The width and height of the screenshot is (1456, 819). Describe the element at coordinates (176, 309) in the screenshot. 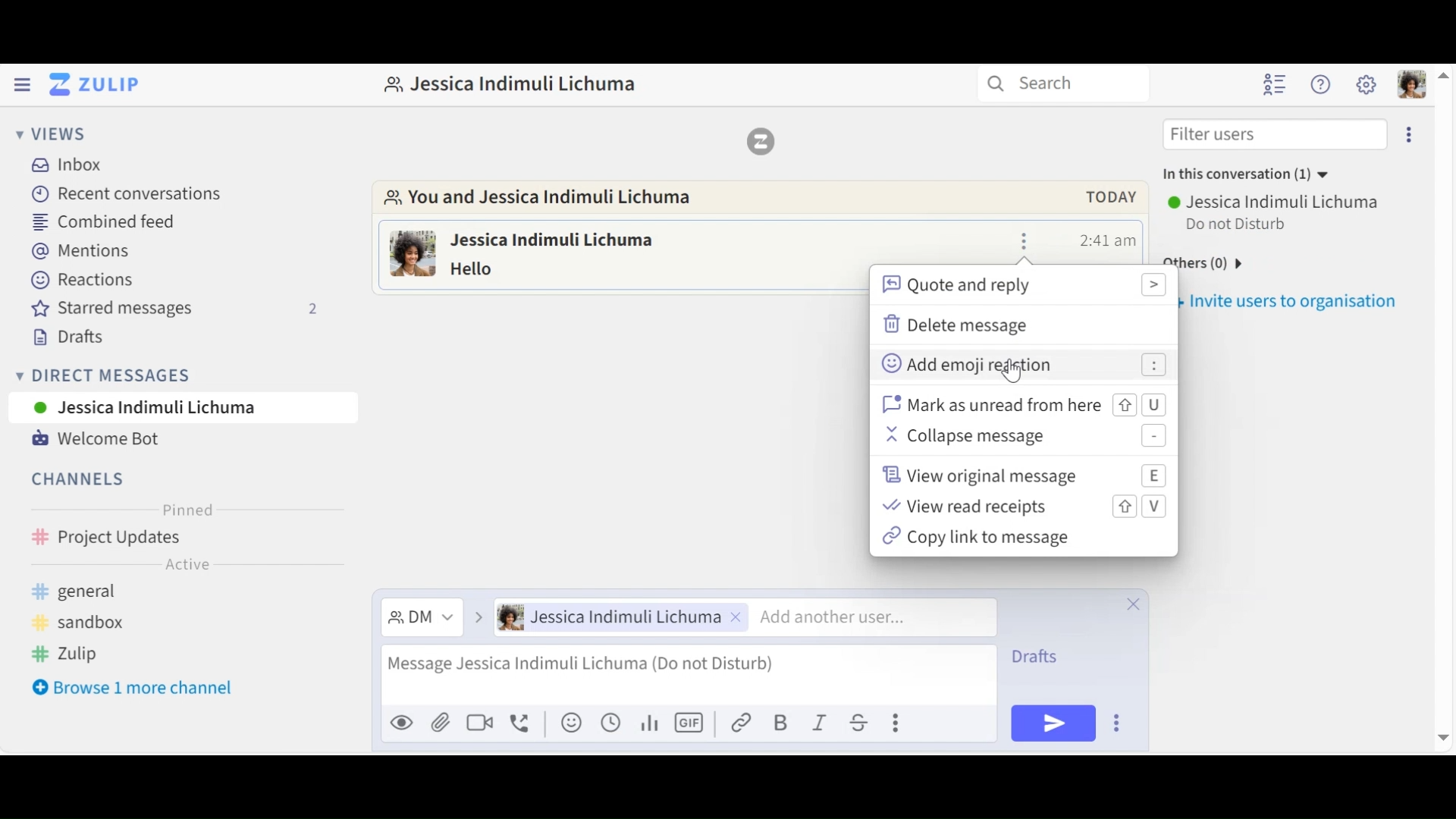

I see `Starred messages` at that location.